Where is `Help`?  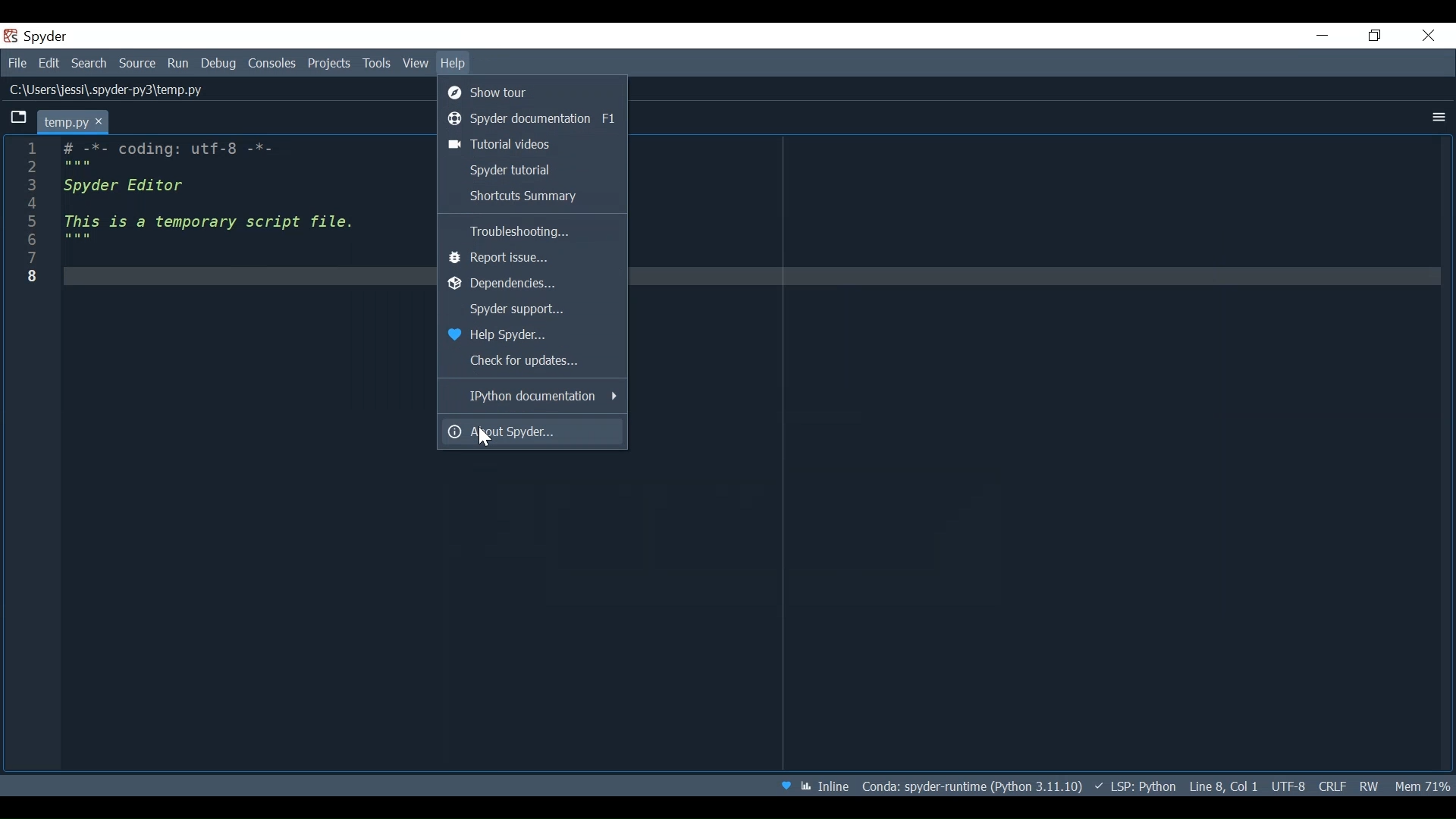 Help is located at coordinates (453, 63).